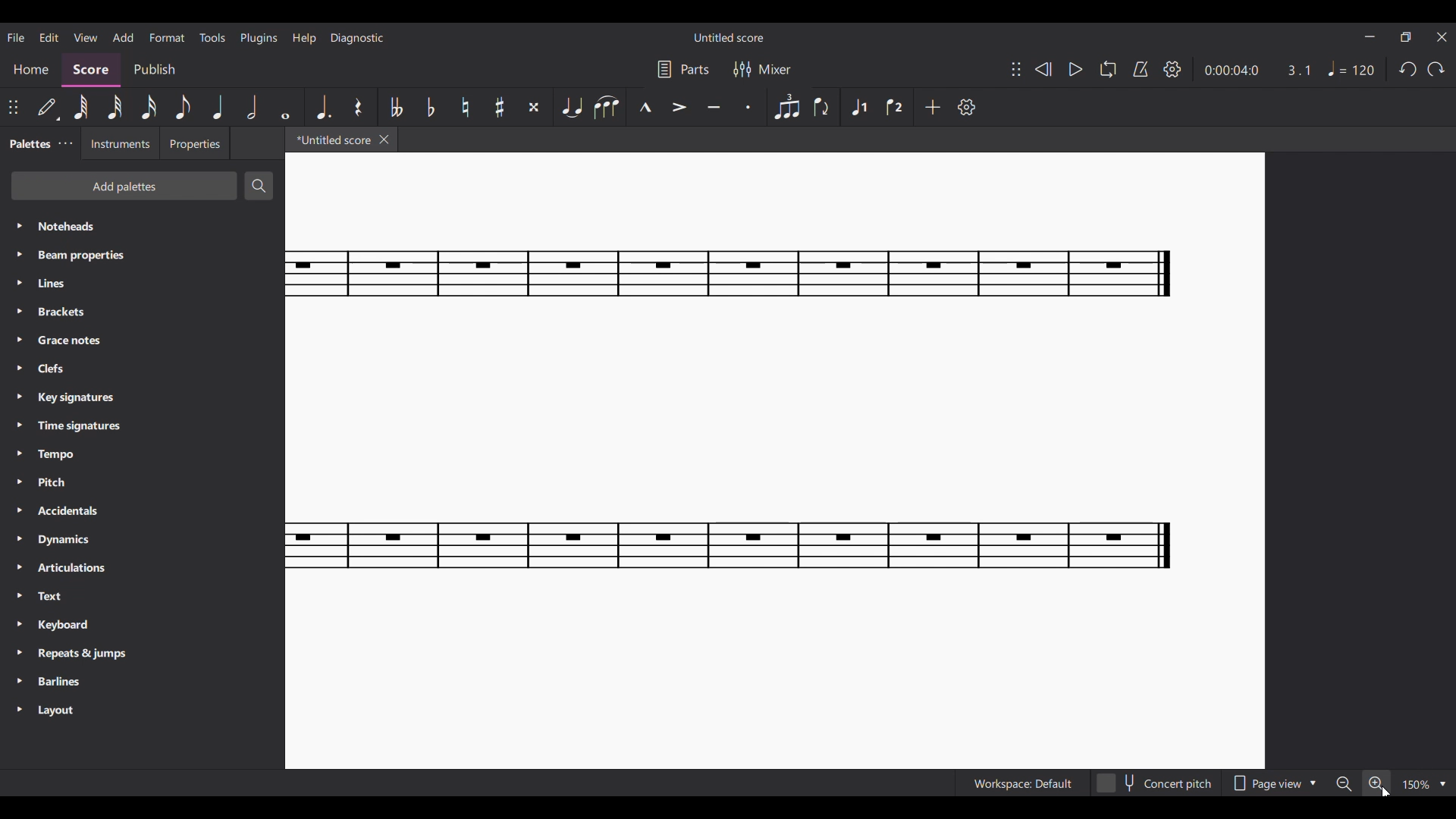 Image resolution: width=1456 pixels, height=819 pixels. What do you see at coordinates (1076, 70) in the screenshot?
I see `Play` at bounding box center [1076, 70].